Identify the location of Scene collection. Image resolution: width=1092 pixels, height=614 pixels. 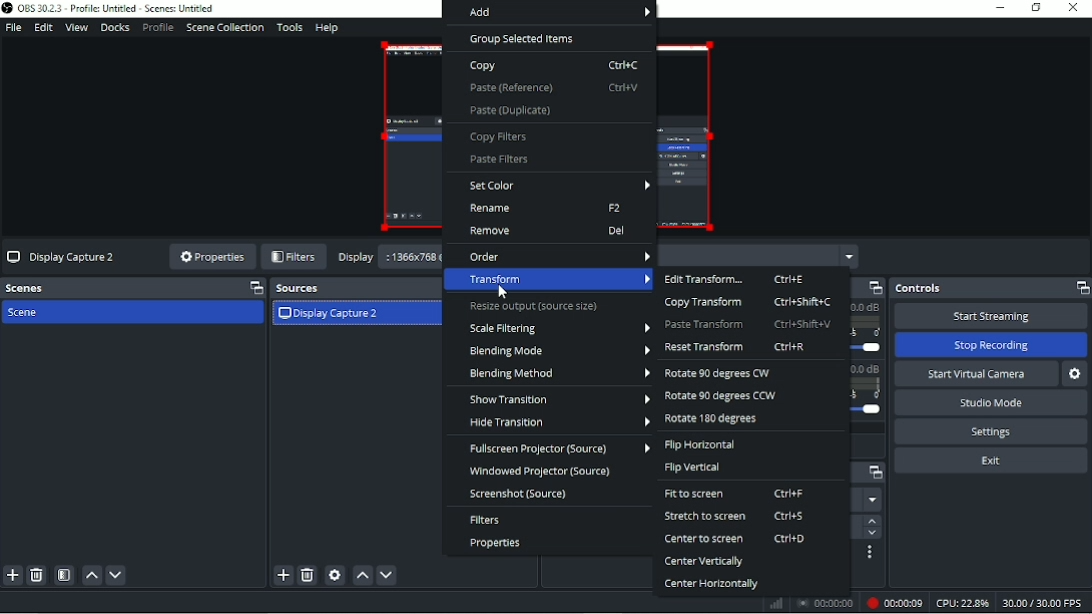
(224, 28).